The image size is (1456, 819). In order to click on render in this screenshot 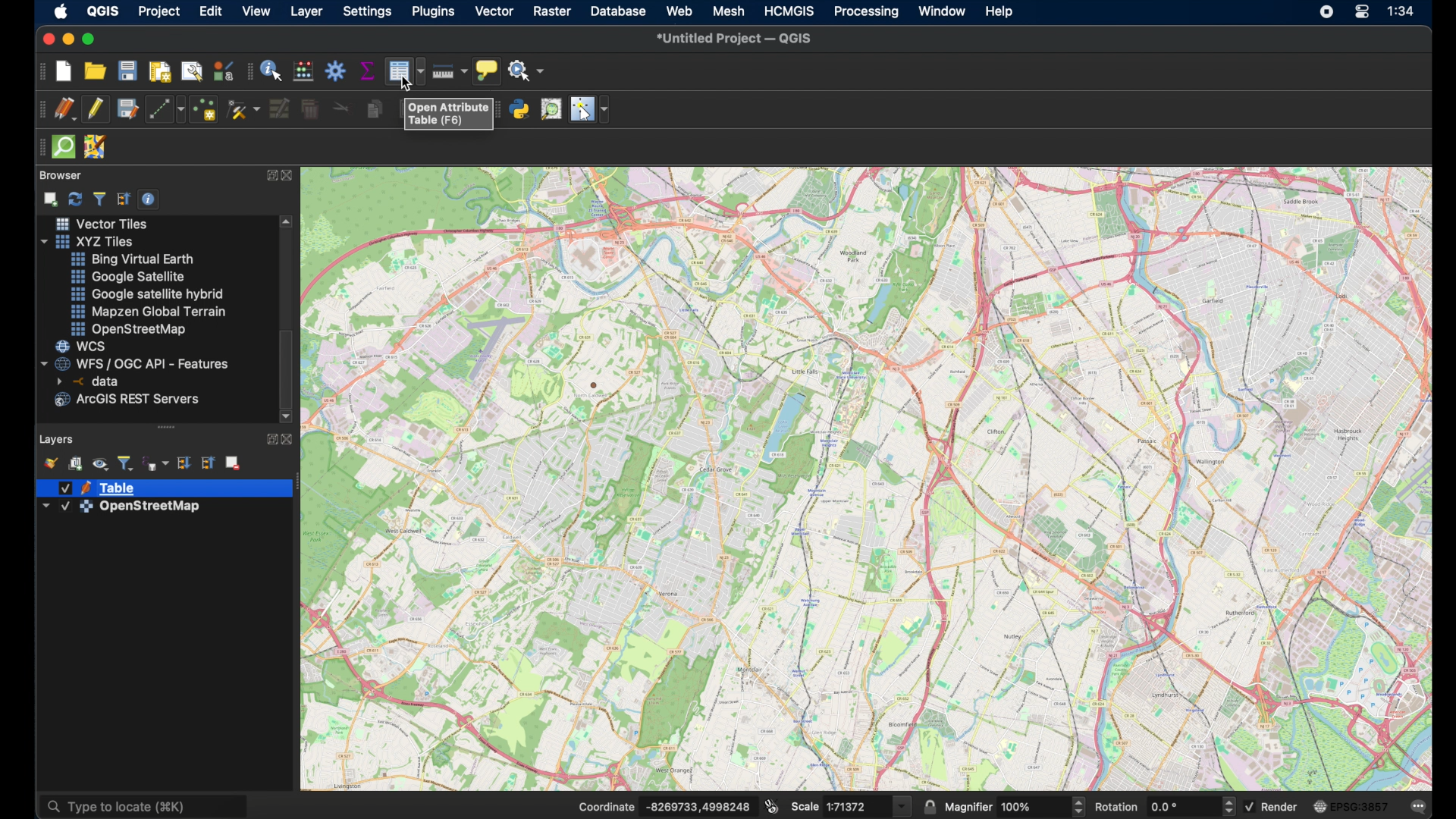, I will do `click(1285, 806)`.